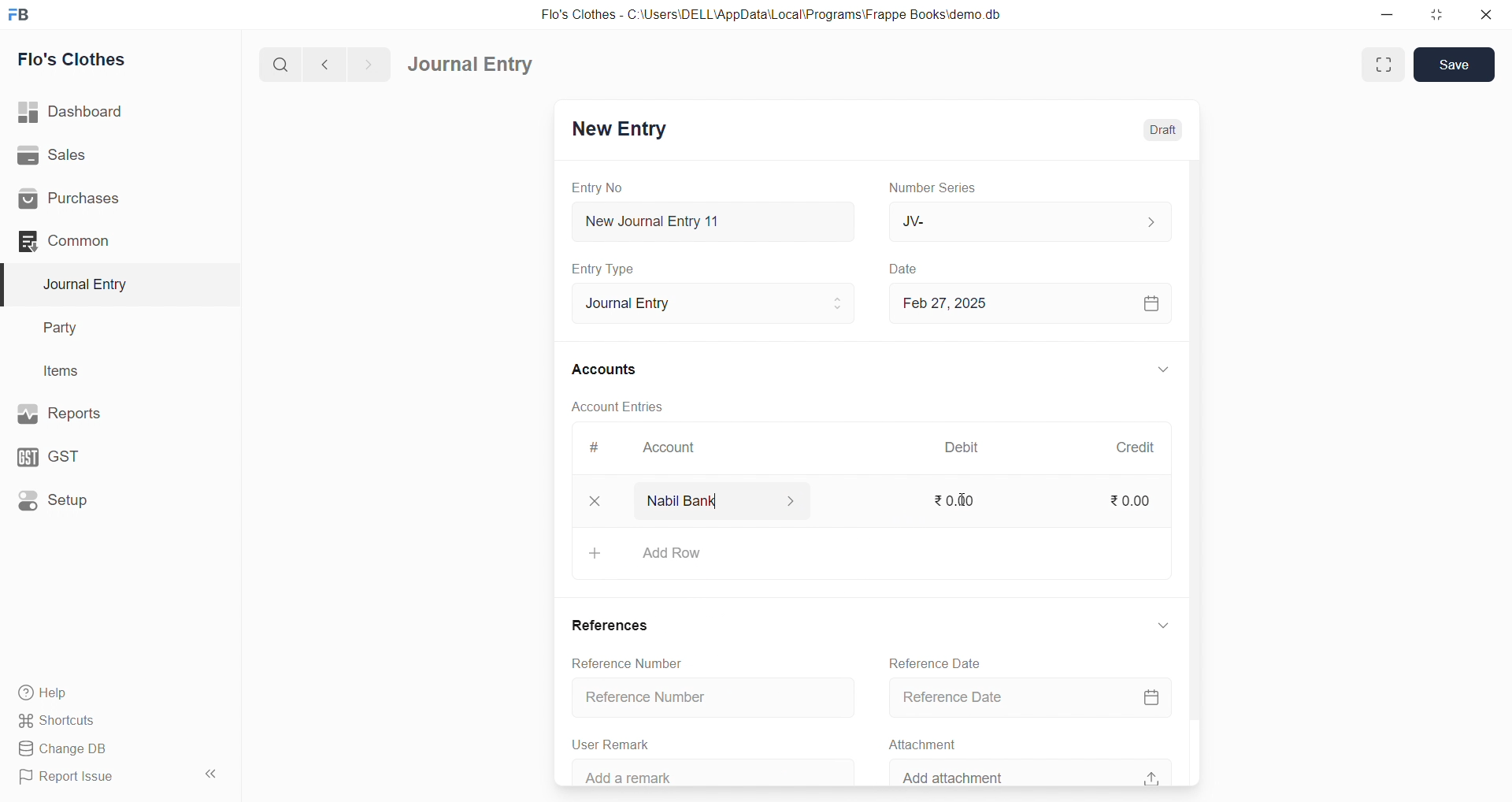  I want to click on Party, so click(70, 326).